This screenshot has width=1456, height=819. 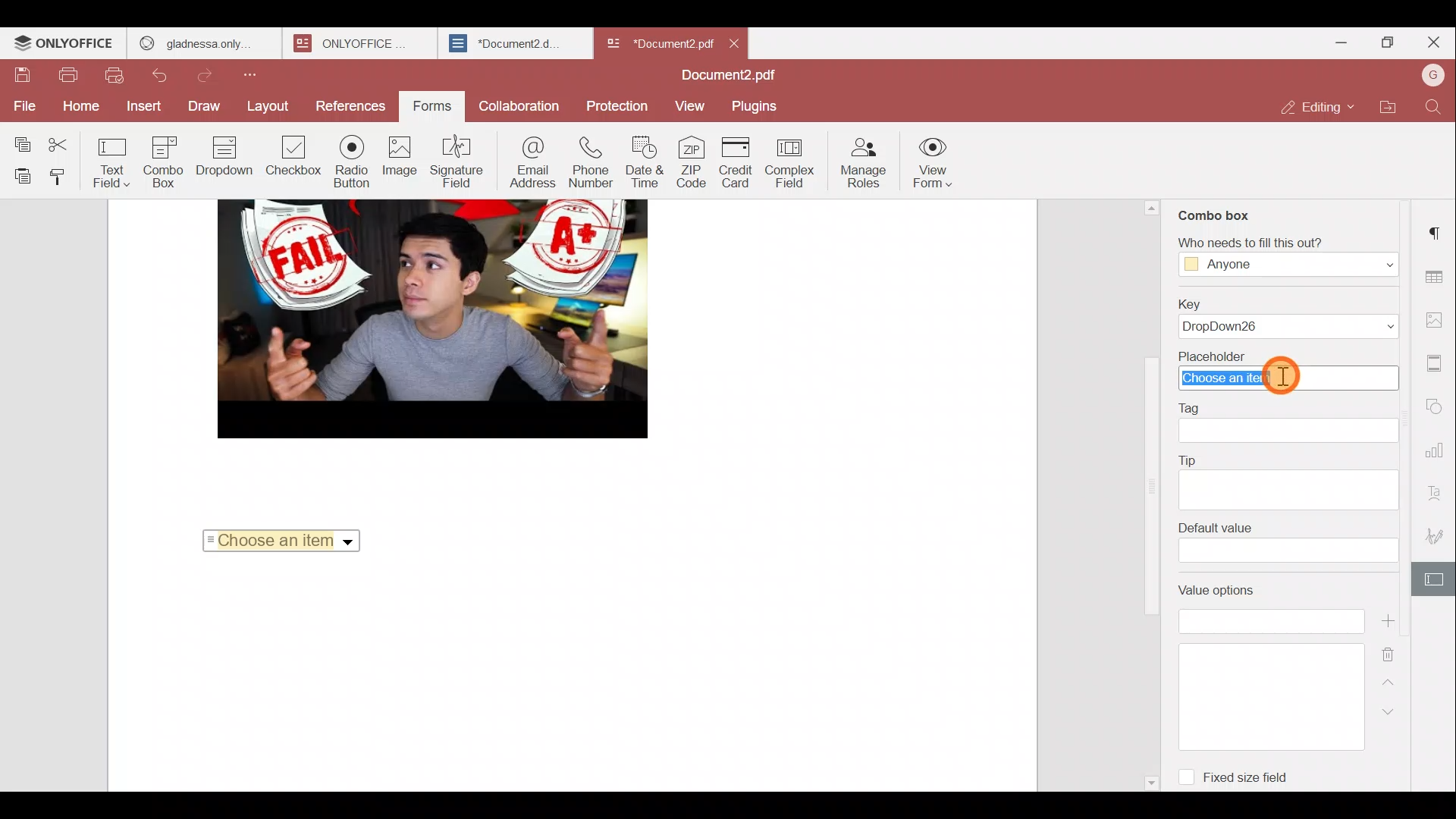 I want to click on Manage roles, so click(x=865, y=162).